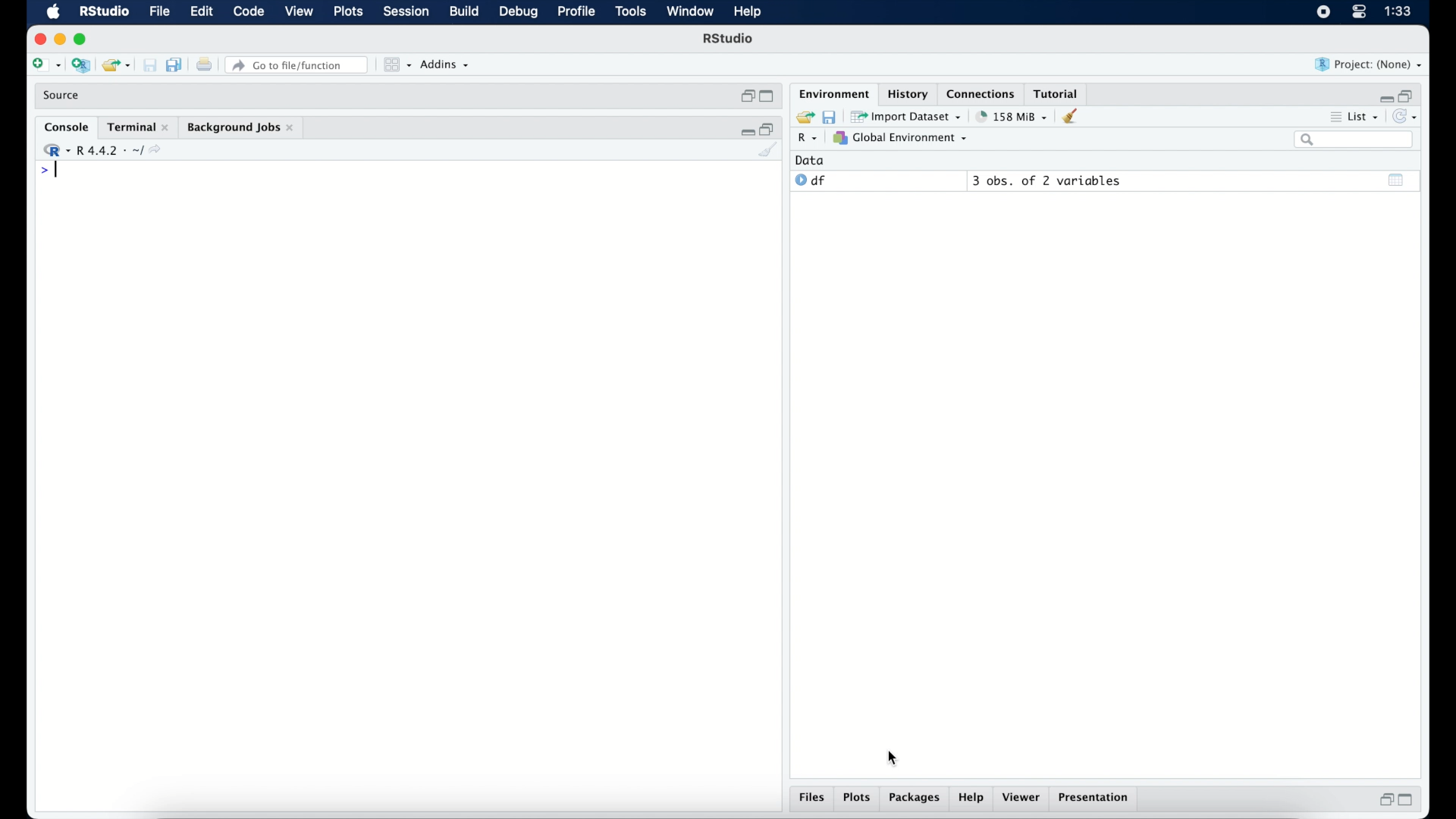 The height and width of the screenshot is (819, 1456). Describe the element at coordinates (149, 64) in the screenshot. I see `print` at that location.